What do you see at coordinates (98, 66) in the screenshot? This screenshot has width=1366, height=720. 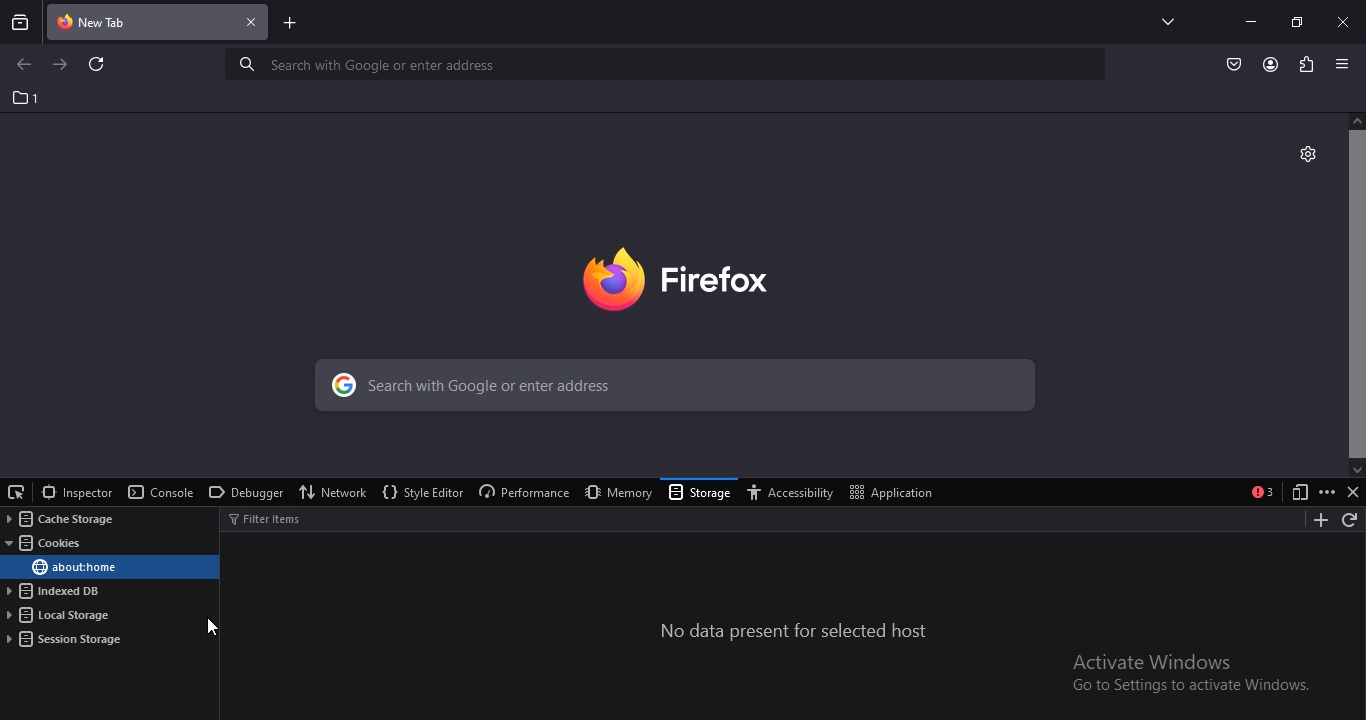 I see `refresh` at bounding box center [98, 66].